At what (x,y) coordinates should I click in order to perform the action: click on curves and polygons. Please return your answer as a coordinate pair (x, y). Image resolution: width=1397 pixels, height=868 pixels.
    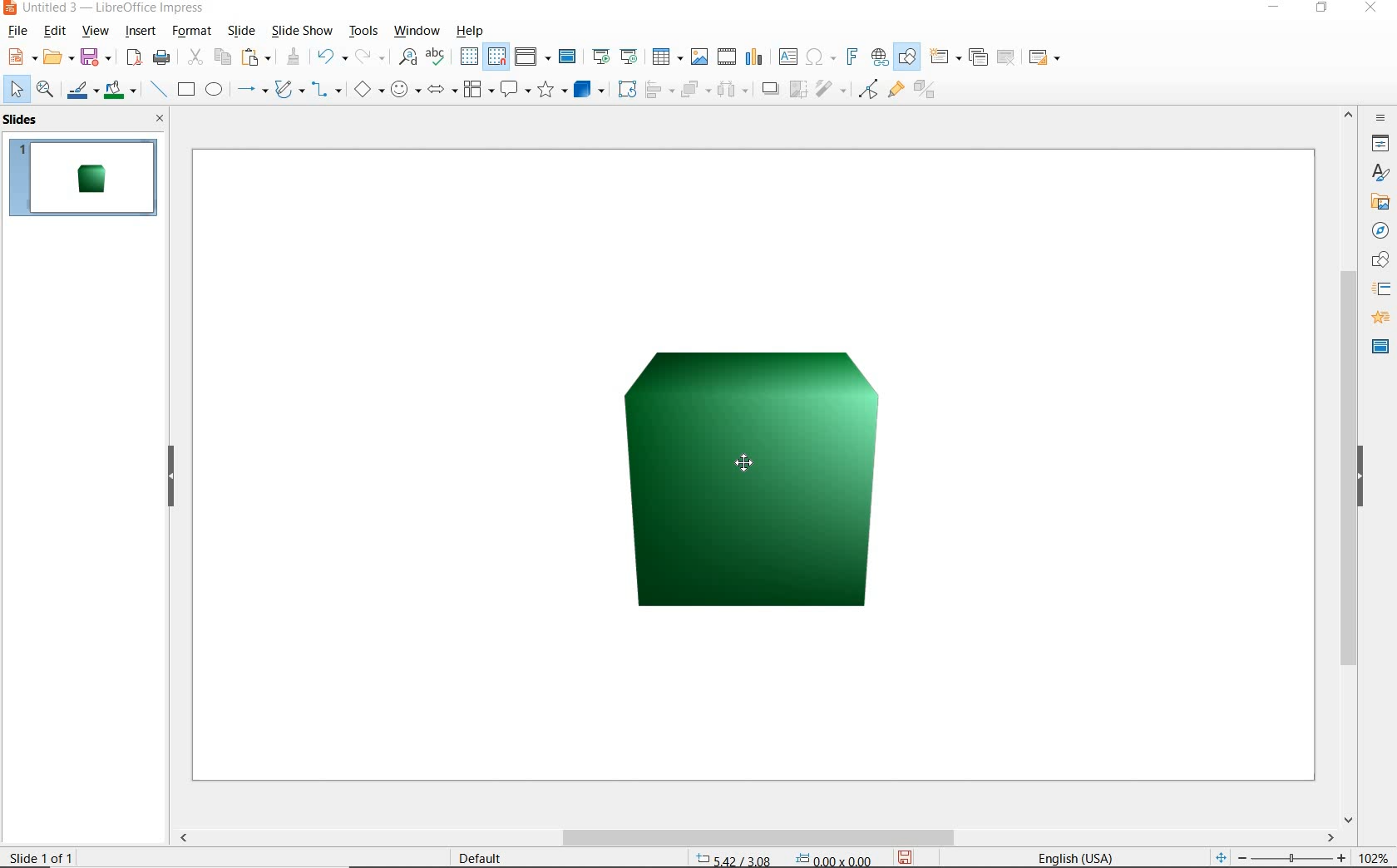
    Looking at the image, I should click on (290, 91).